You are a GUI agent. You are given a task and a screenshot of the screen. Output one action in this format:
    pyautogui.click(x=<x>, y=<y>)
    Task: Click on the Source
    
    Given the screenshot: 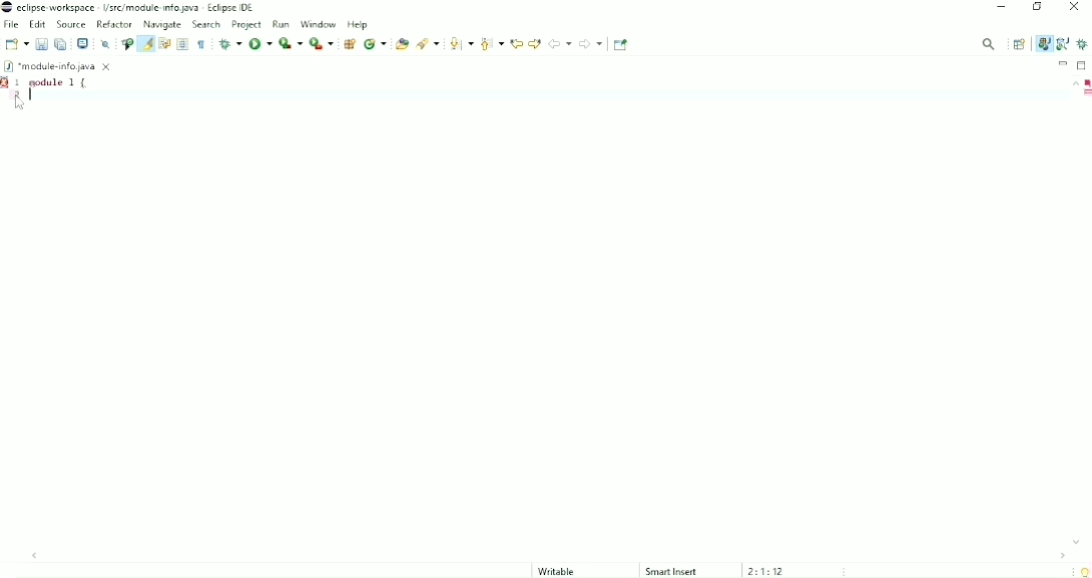 What is the action you would take?
    pyautogui.click(x=71, y=24)
    